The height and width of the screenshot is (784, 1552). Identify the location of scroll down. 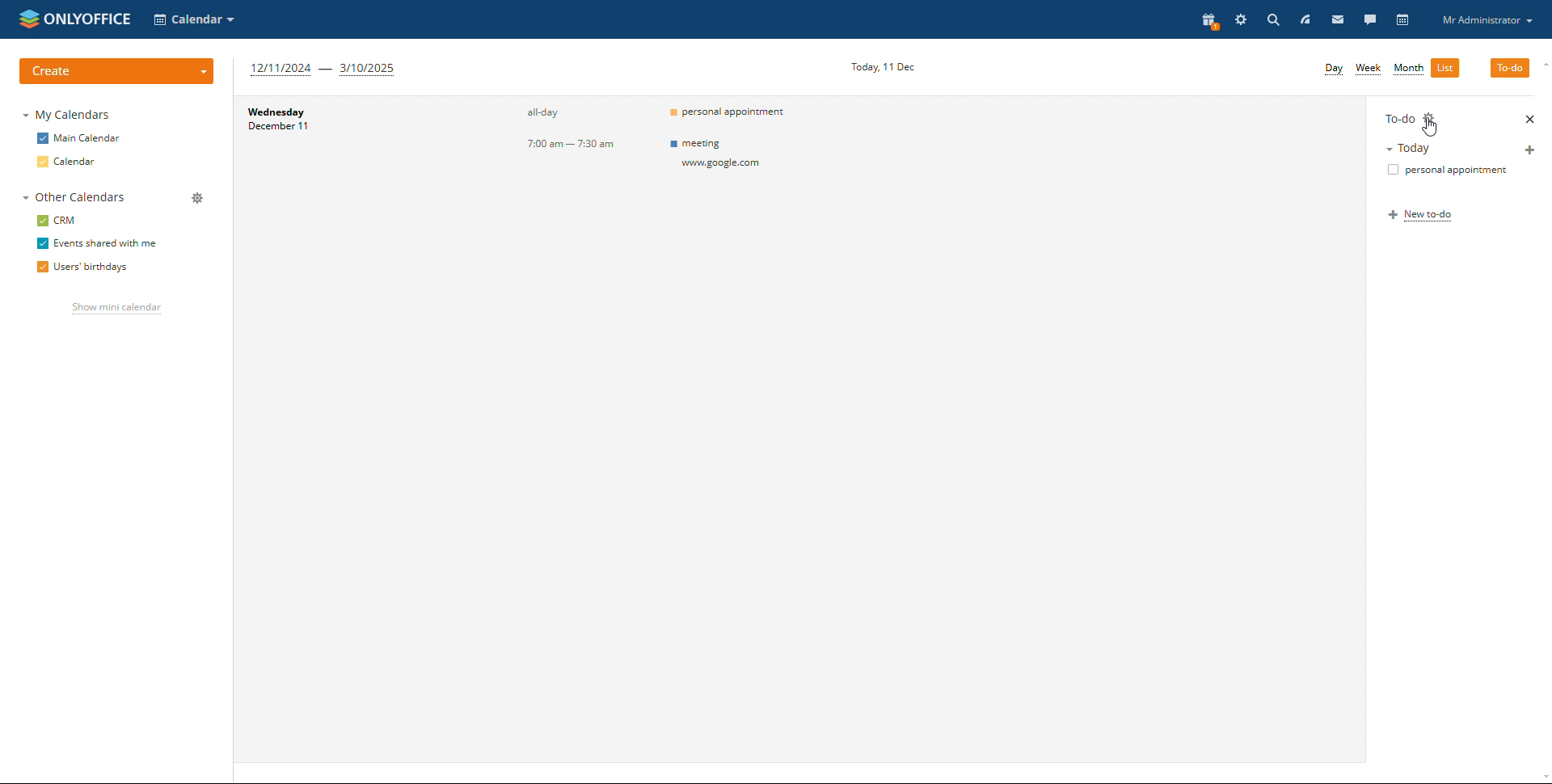
(1542, 777).